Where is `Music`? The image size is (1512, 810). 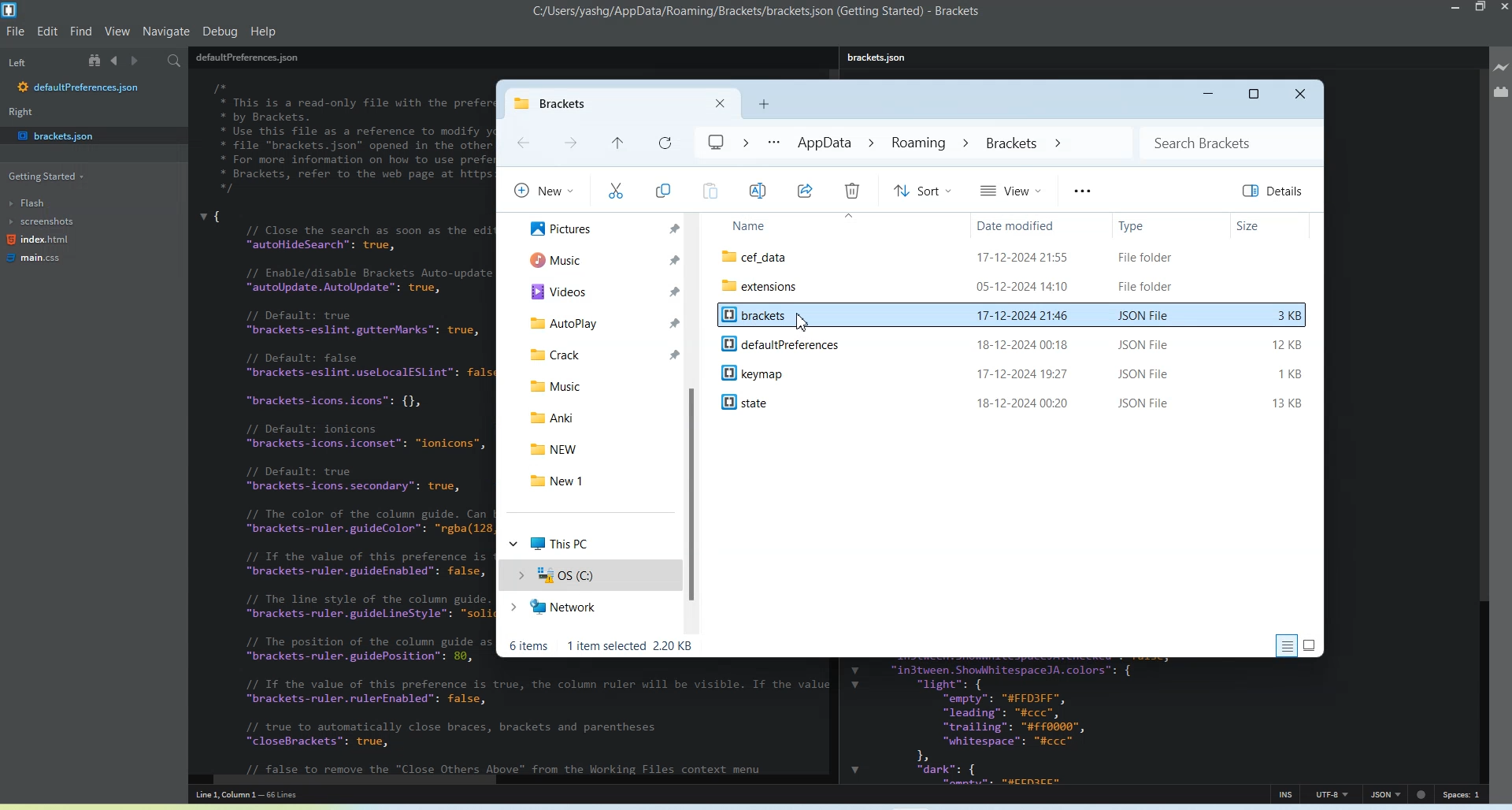
Music is located at coordinates (598, 384).